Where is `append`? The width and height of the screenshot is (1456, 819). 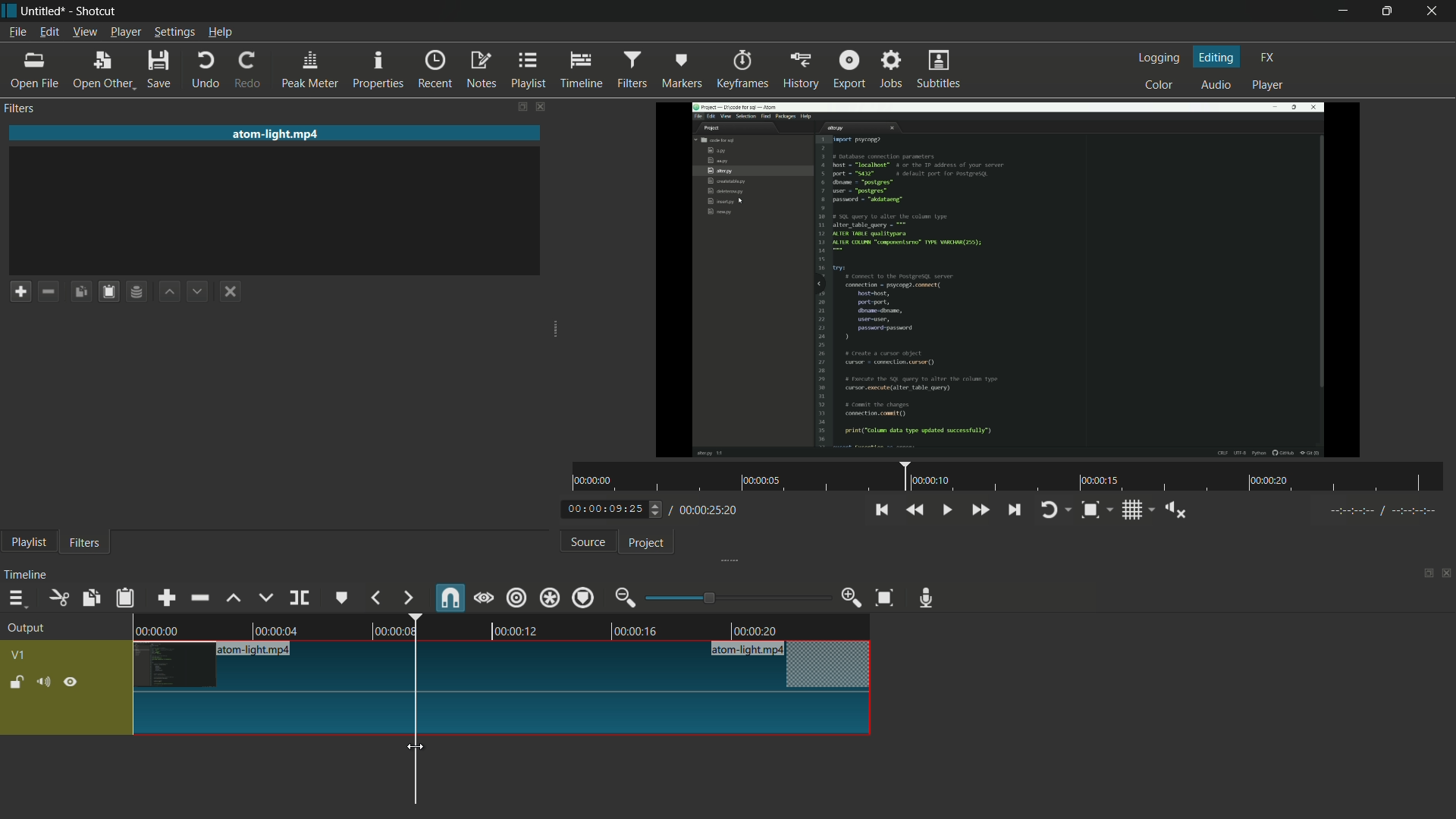 append is located at coordinates (169, 597).